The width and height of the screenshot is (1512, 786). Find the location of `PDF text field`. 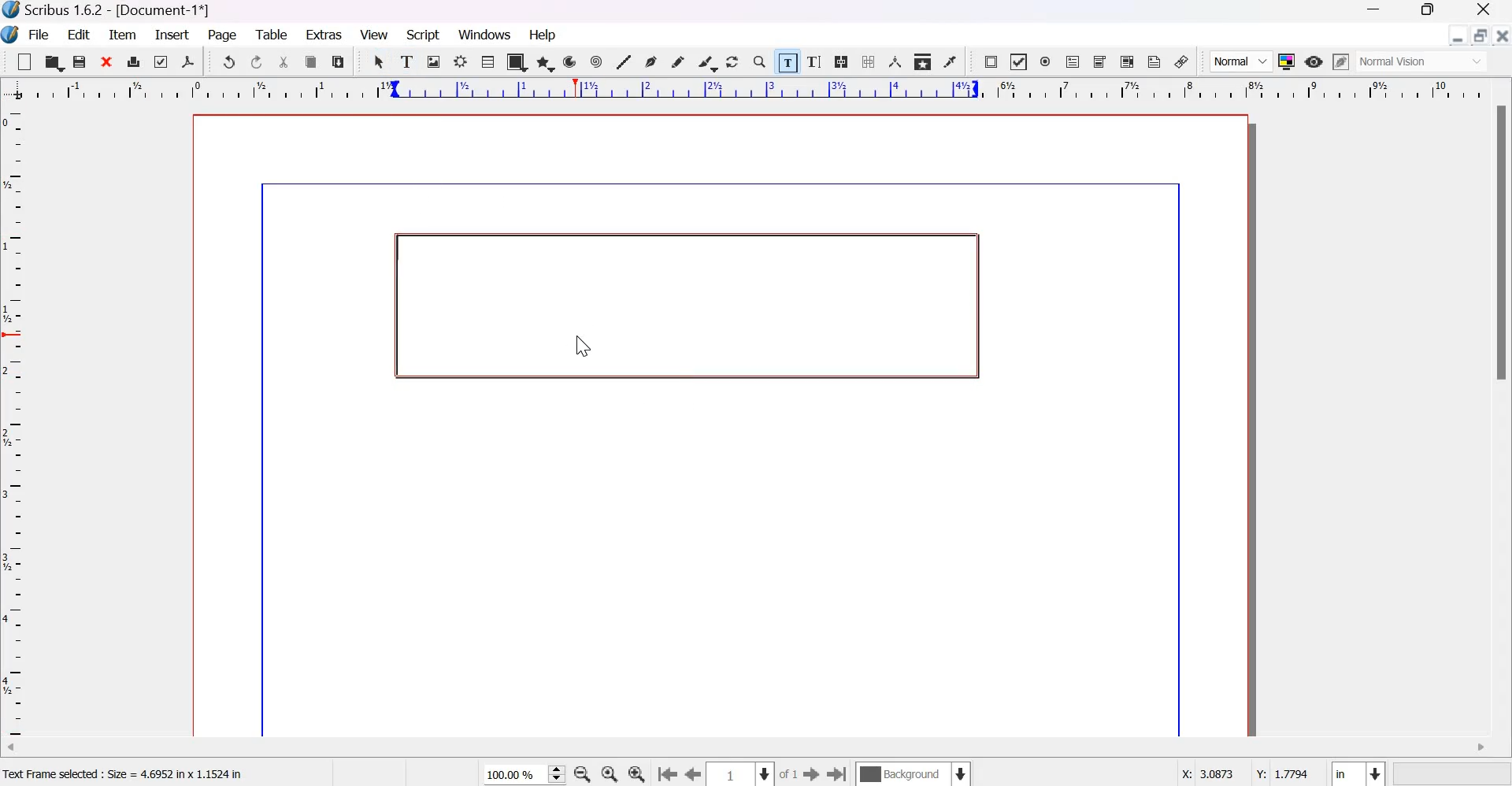

PDF text field is located at coordinates (1073, 63).